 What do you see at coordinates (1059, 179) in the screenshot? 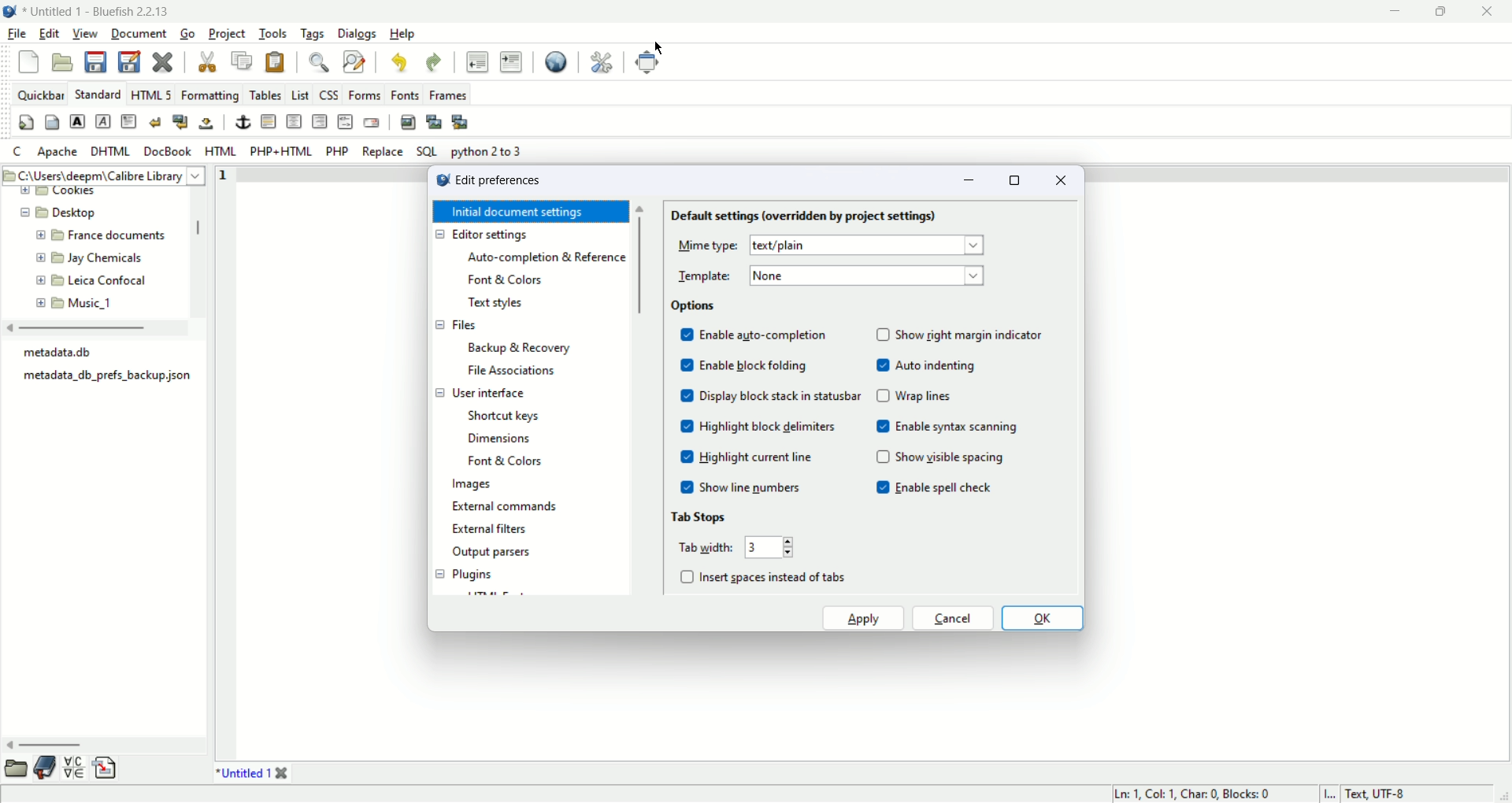
I see `close` at bounding box center [1059, 179].